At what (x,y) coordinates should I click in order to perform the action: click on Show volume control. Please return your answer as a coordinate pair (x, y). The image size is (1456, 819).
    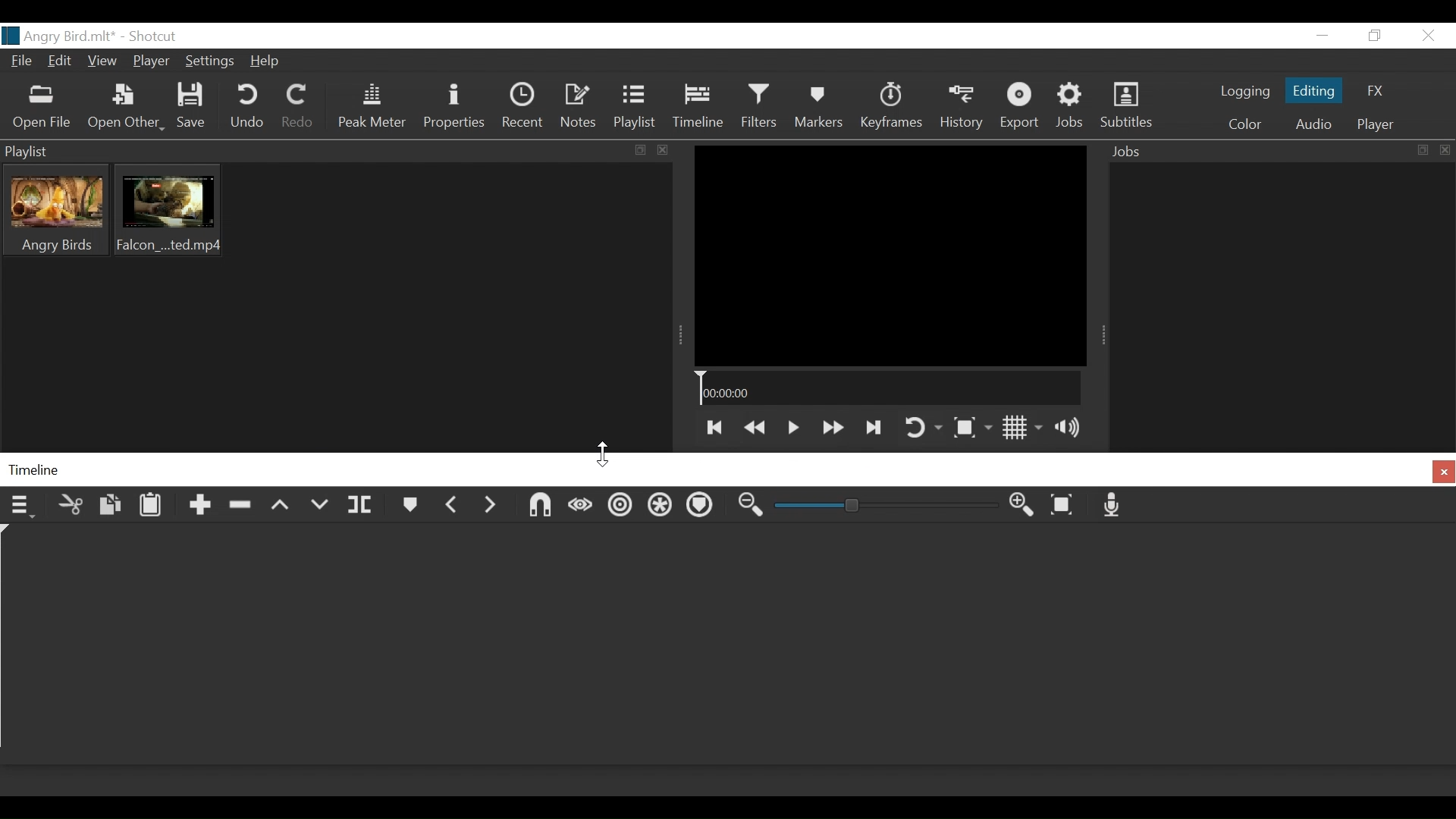
    Looking at the image, I should click on (1075, 428).